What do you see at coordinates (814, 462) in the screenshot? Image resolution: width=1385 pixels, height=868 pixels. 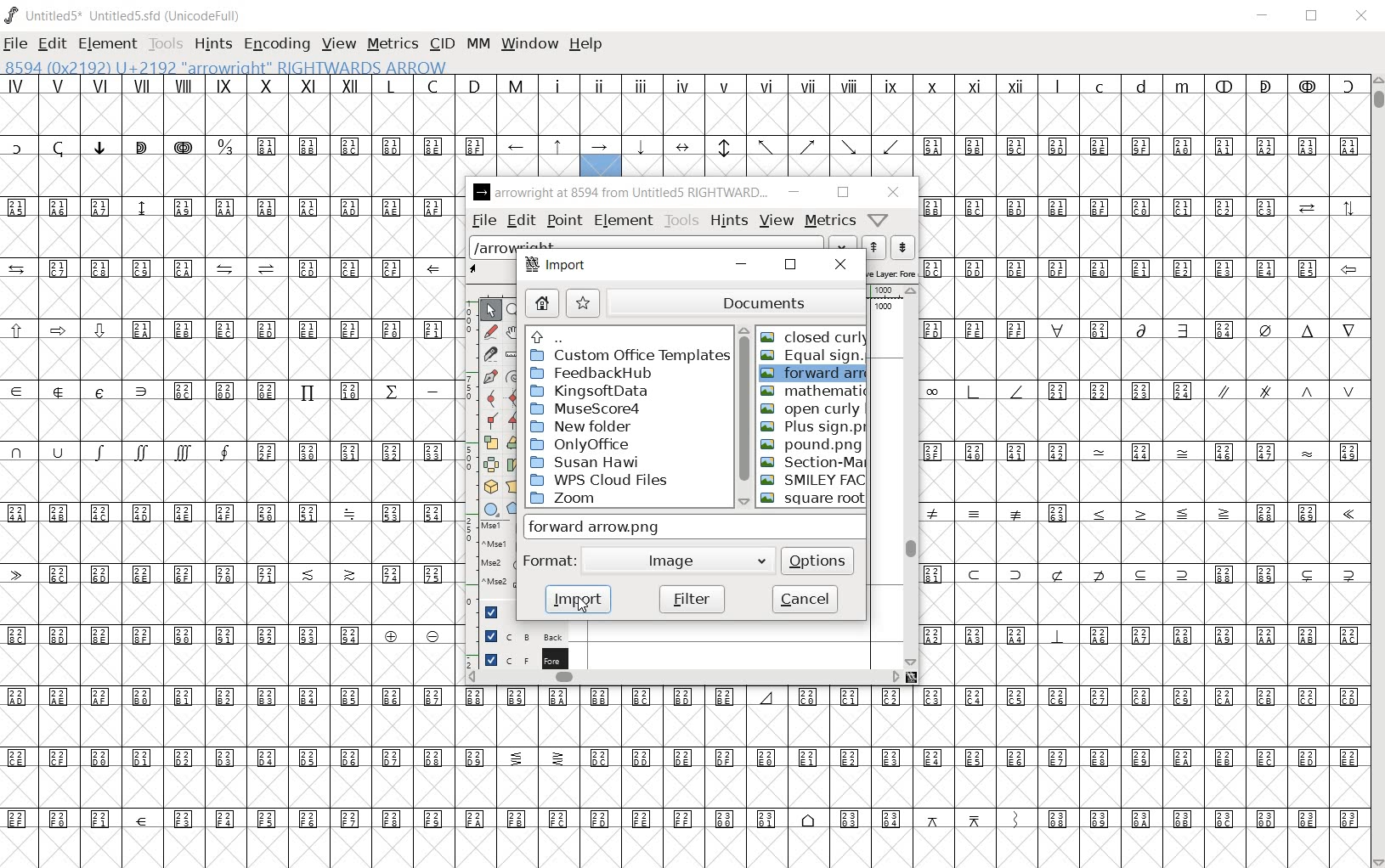 I see `section-mark` at bounding box center [814, 462].